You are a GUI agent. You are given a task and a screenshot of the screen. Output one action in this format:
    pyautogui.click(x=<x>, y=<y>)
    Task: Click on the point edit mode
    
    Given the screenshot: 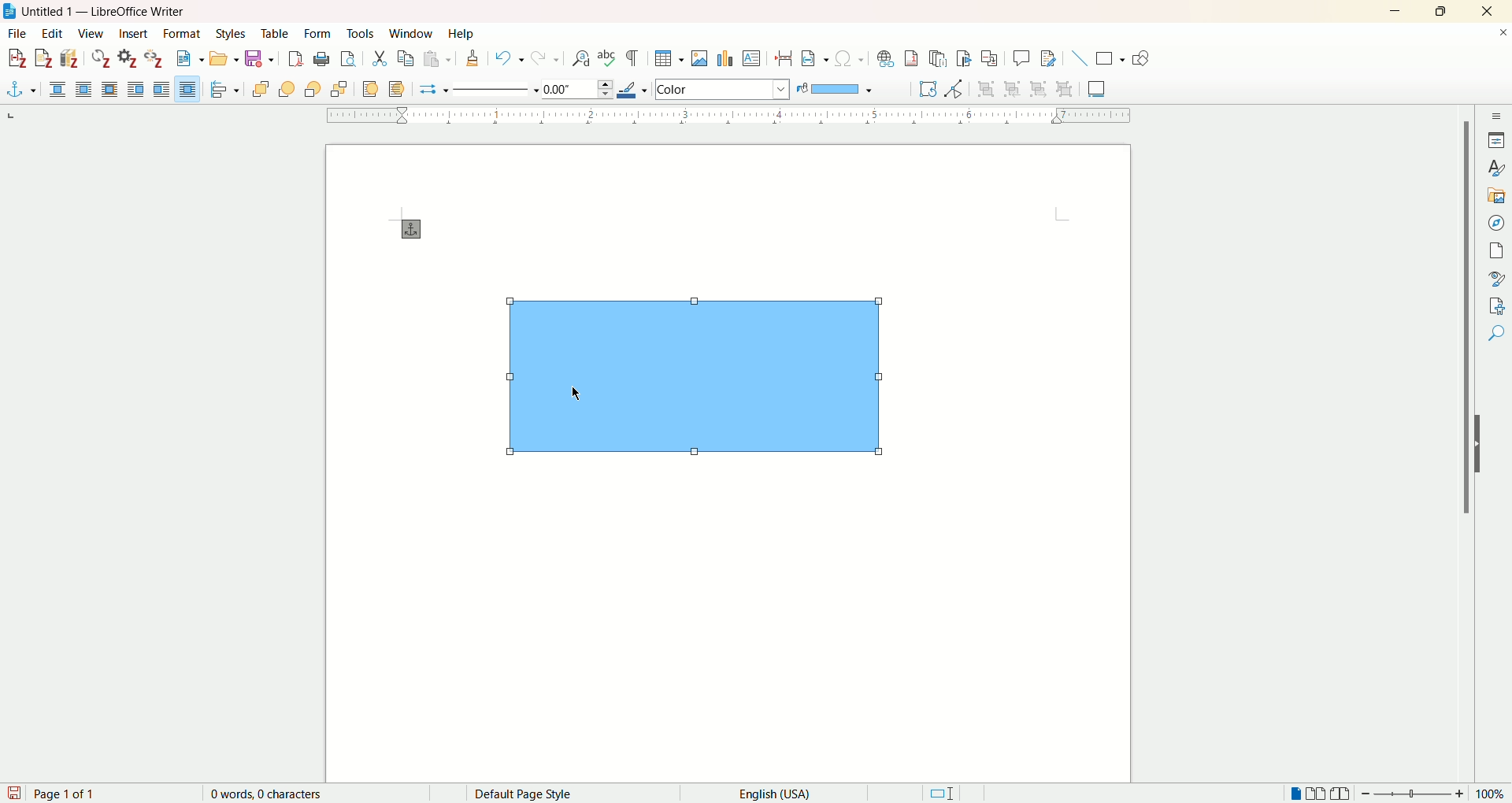 What is the action you would take?
    pyautogui.click(x=953, y=89)
    